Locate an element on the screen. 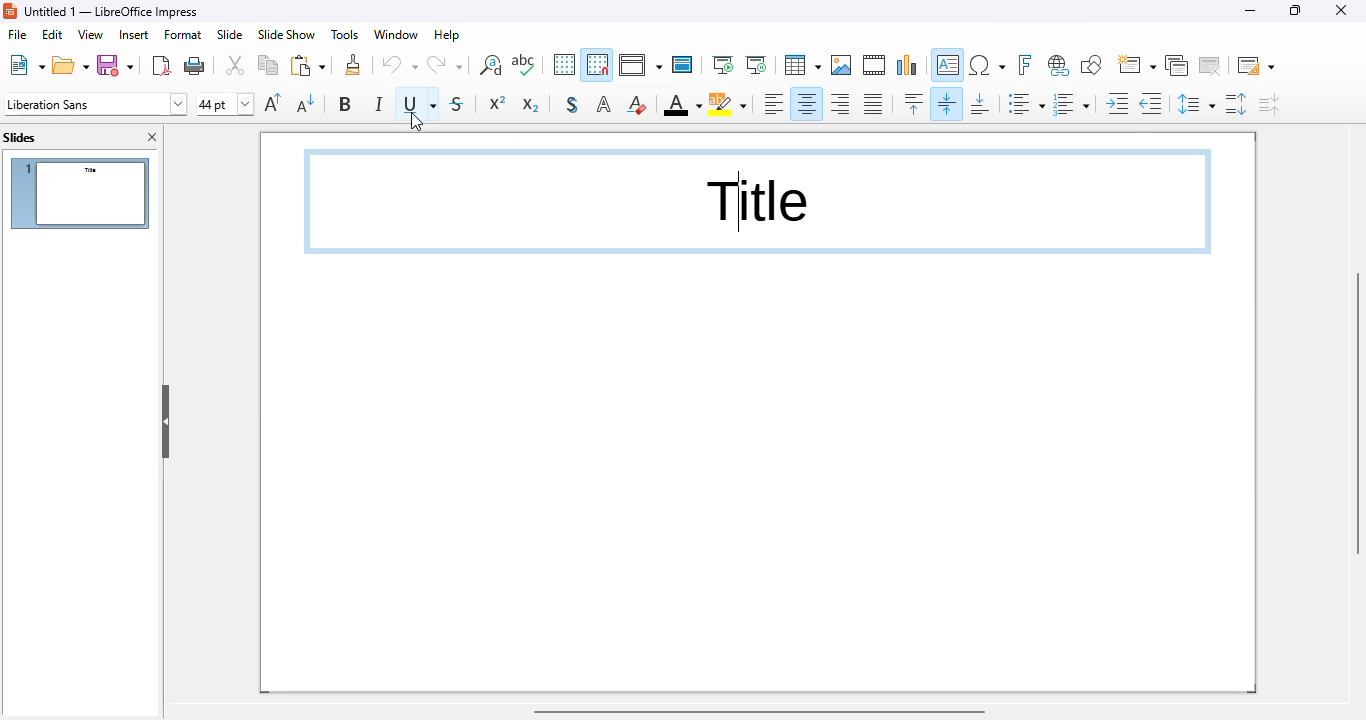 The height and width of the screenshot is (720, 1366). copy is located at coordinates (268, 65).